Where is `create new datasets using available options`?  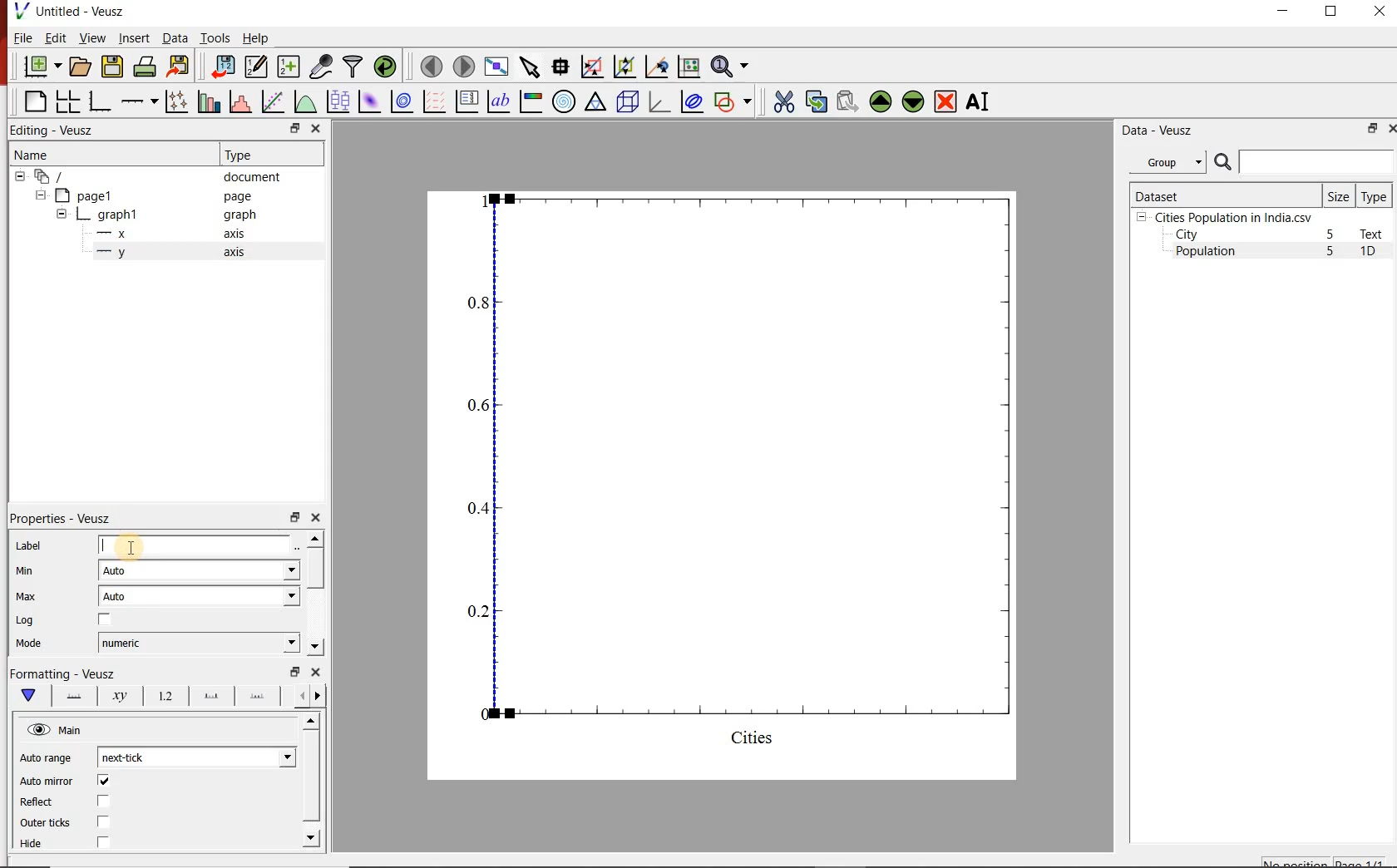 create new datasets using available options is located at coordinates (286, 67).